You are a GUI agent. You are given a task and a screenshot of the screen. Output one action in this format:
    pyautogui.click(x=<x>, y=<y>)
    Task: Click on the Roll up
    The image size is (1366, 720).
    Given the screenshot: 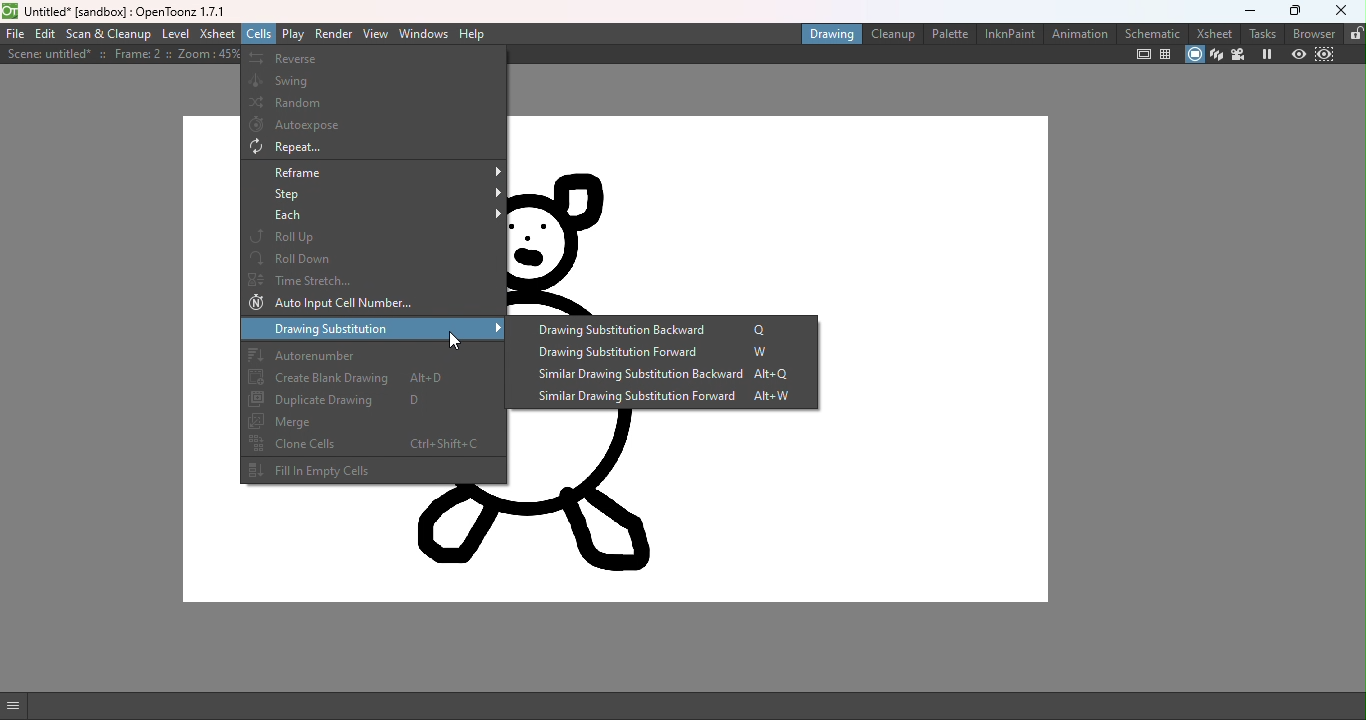 What is the action you would take?
    pyautogui.click(x=375, y=237)
    